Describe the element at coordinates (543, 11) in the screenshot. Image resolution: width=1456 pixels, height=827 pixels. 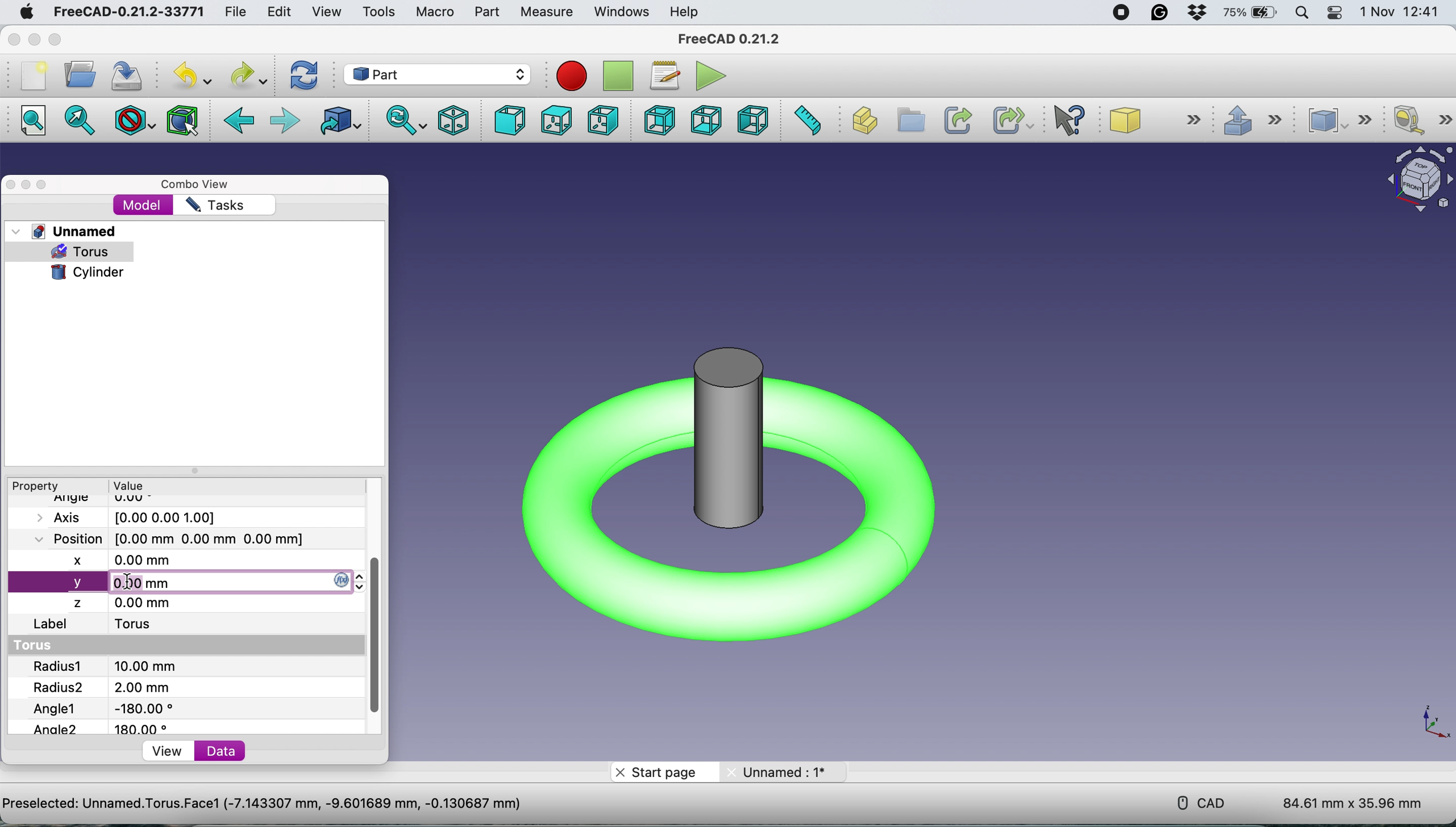
I see `measure` at that location.